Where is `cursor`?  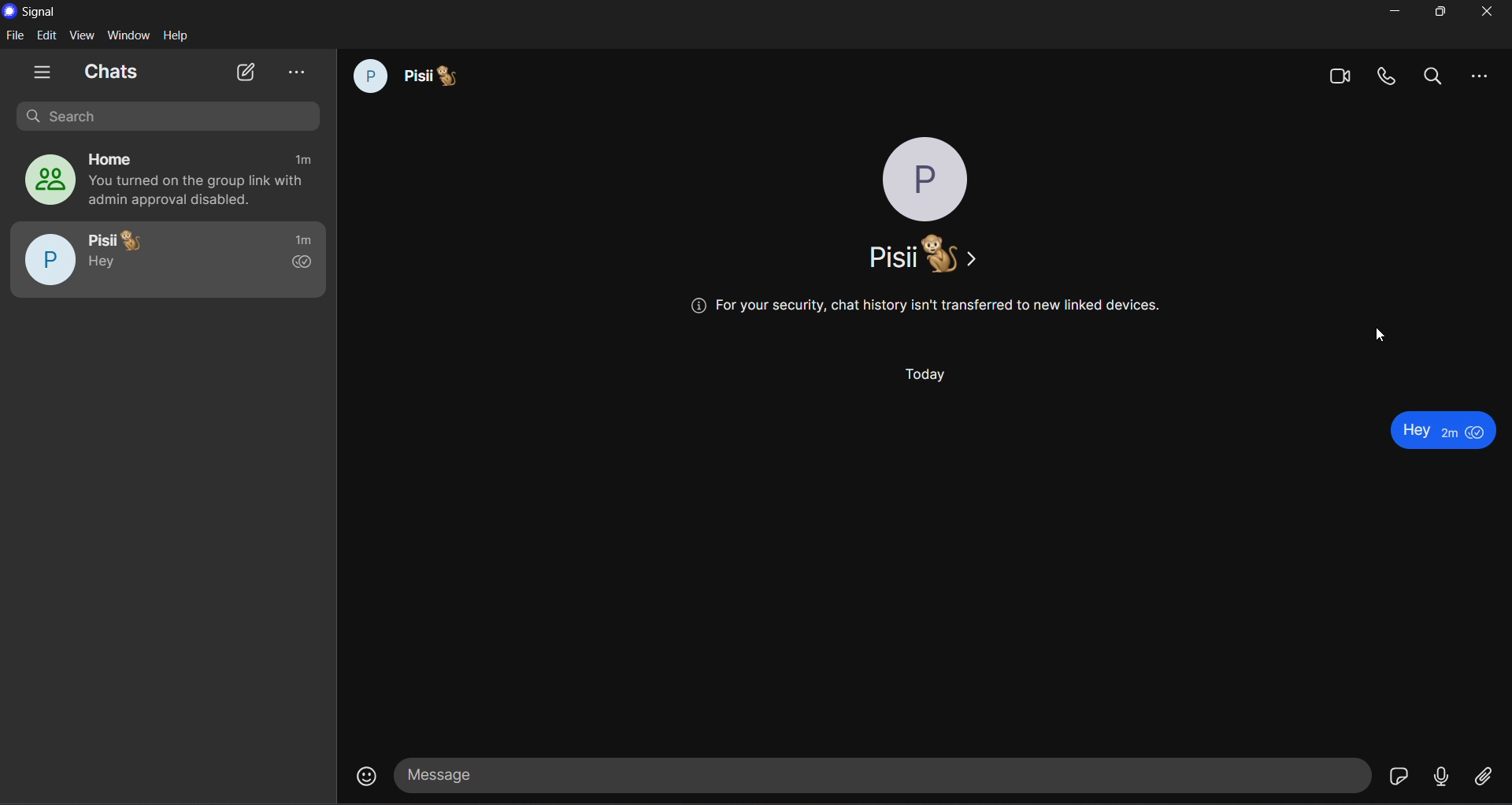 cursor is located at coordinates (1381, 335).